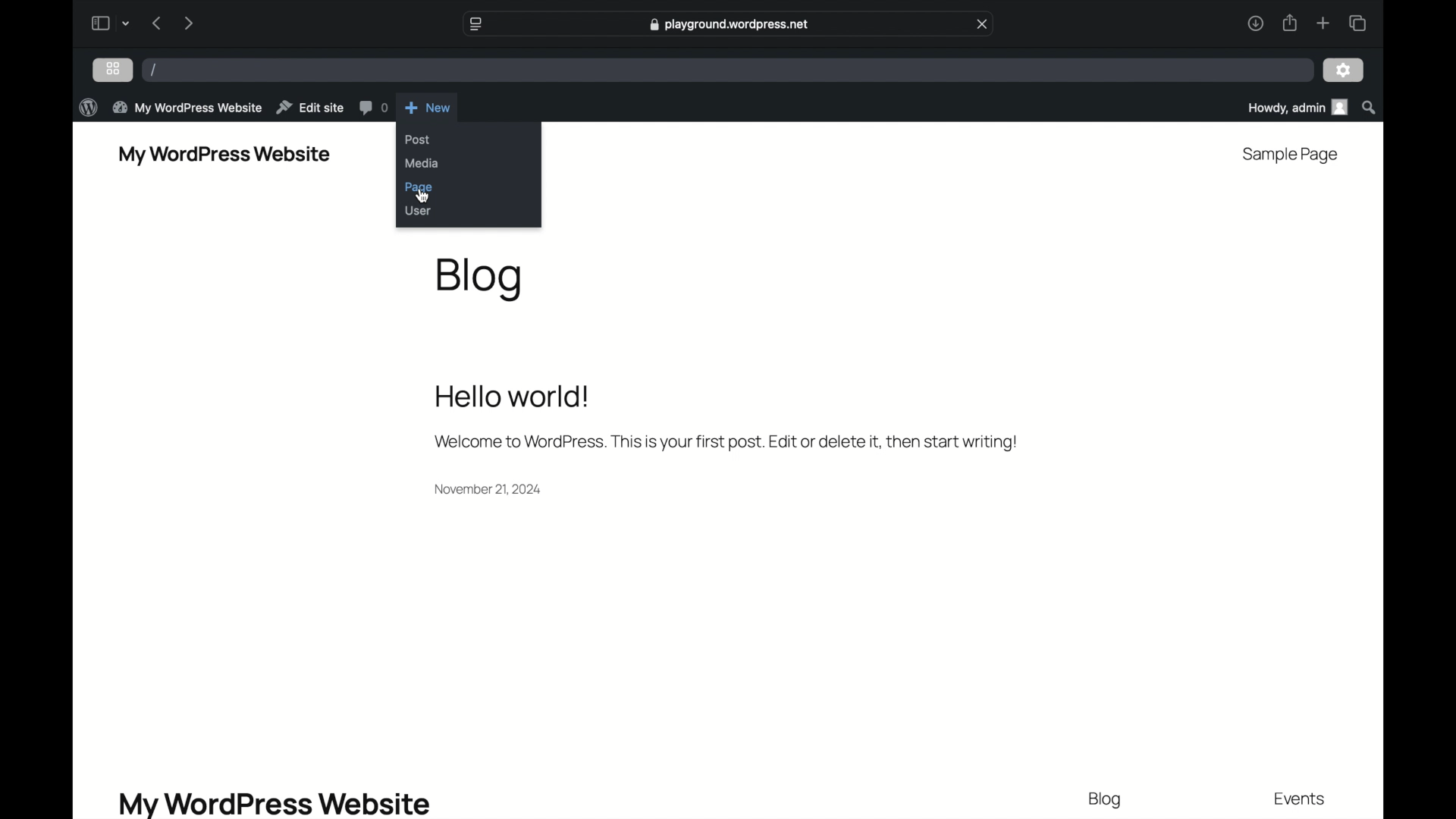  What do you see at coordinates (482, 278) in the screenshot?
I see `blog` at bounding box center [482, 278].